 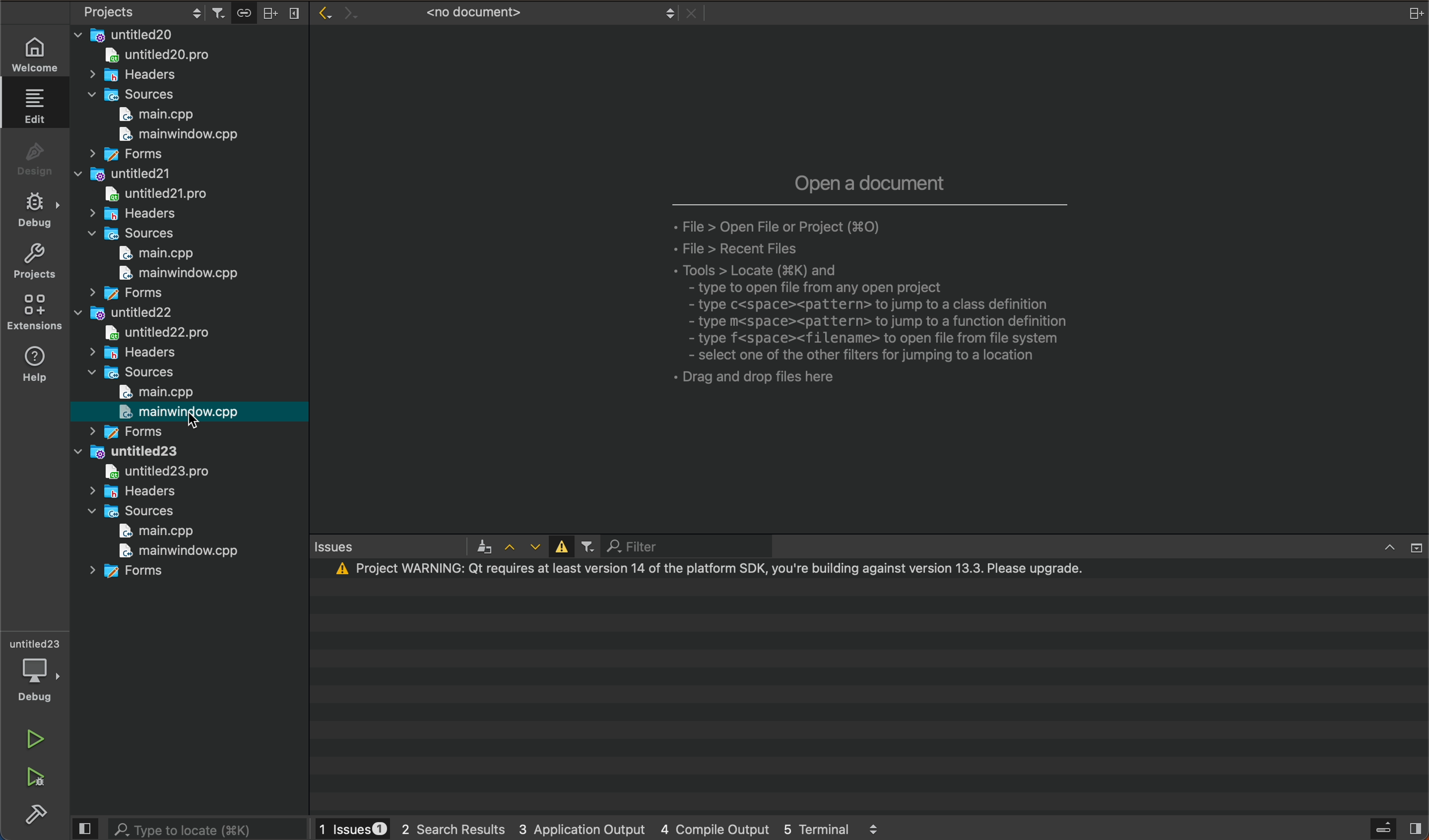 What do you see at coordinates (270, 11) in the screenshot?
I see `split editor horizontally` at bounding box center [270, 11].